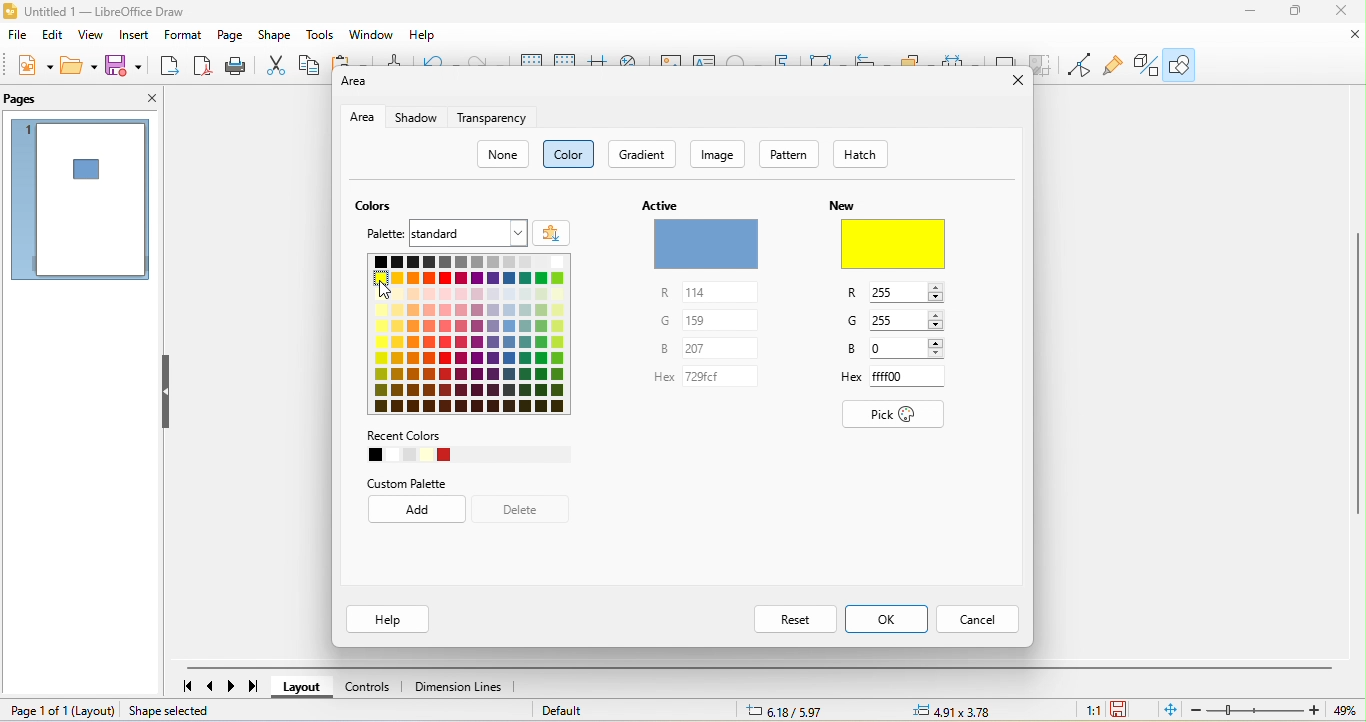  I want to click on zoom, so click(1274, 711).